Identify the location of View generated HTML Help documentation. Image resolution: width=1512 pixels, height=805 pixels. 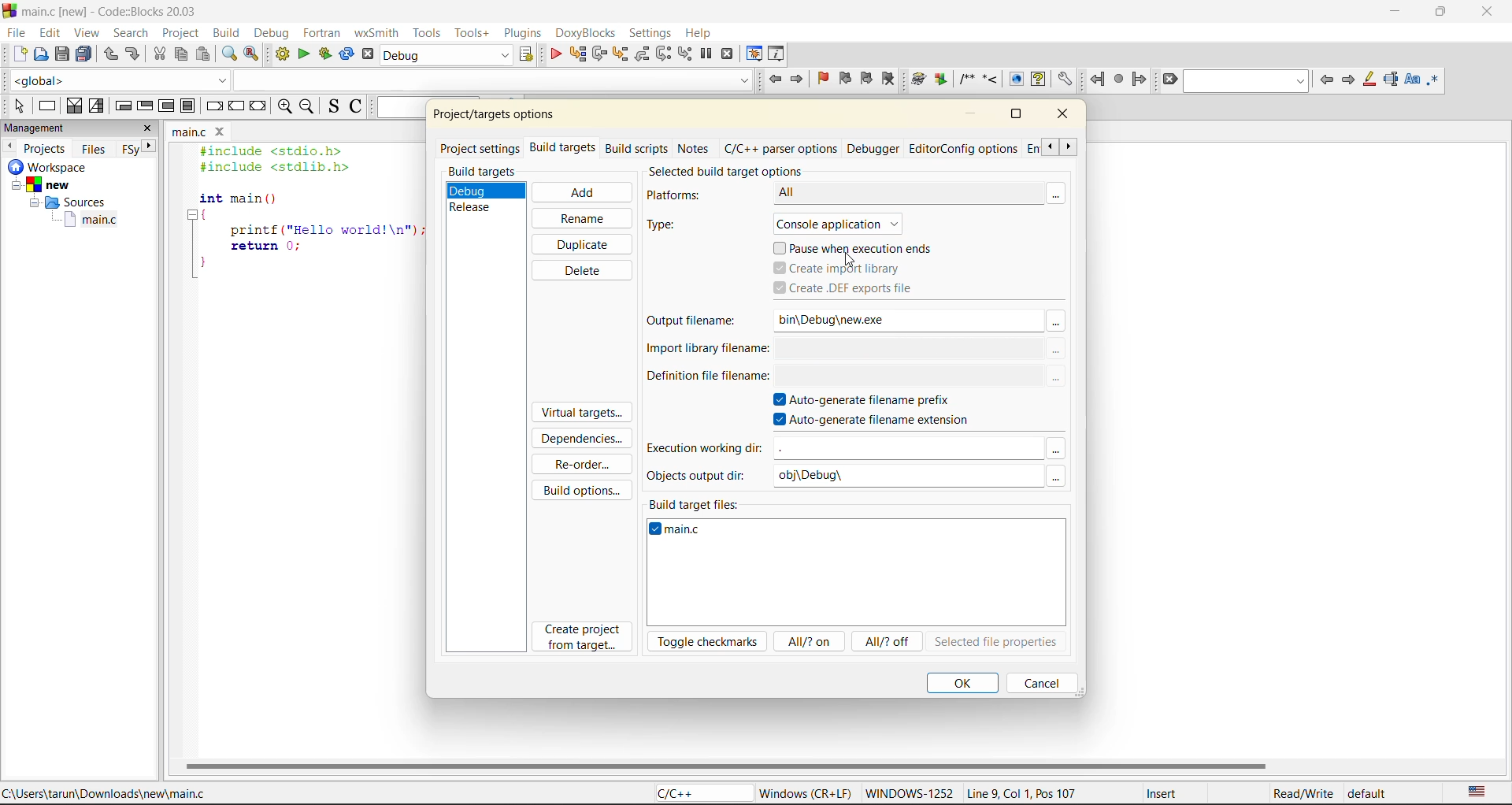
(1038, 78).